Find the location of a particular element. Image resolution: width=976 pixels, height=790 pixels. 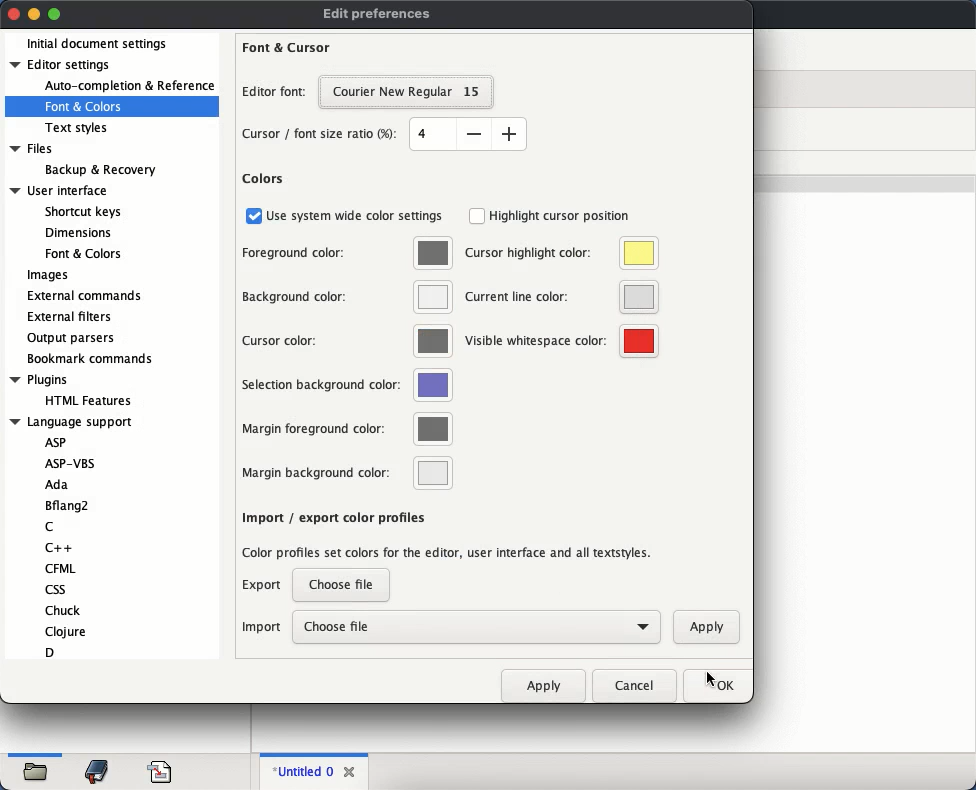

enter size is located at coordinates (432, 134).